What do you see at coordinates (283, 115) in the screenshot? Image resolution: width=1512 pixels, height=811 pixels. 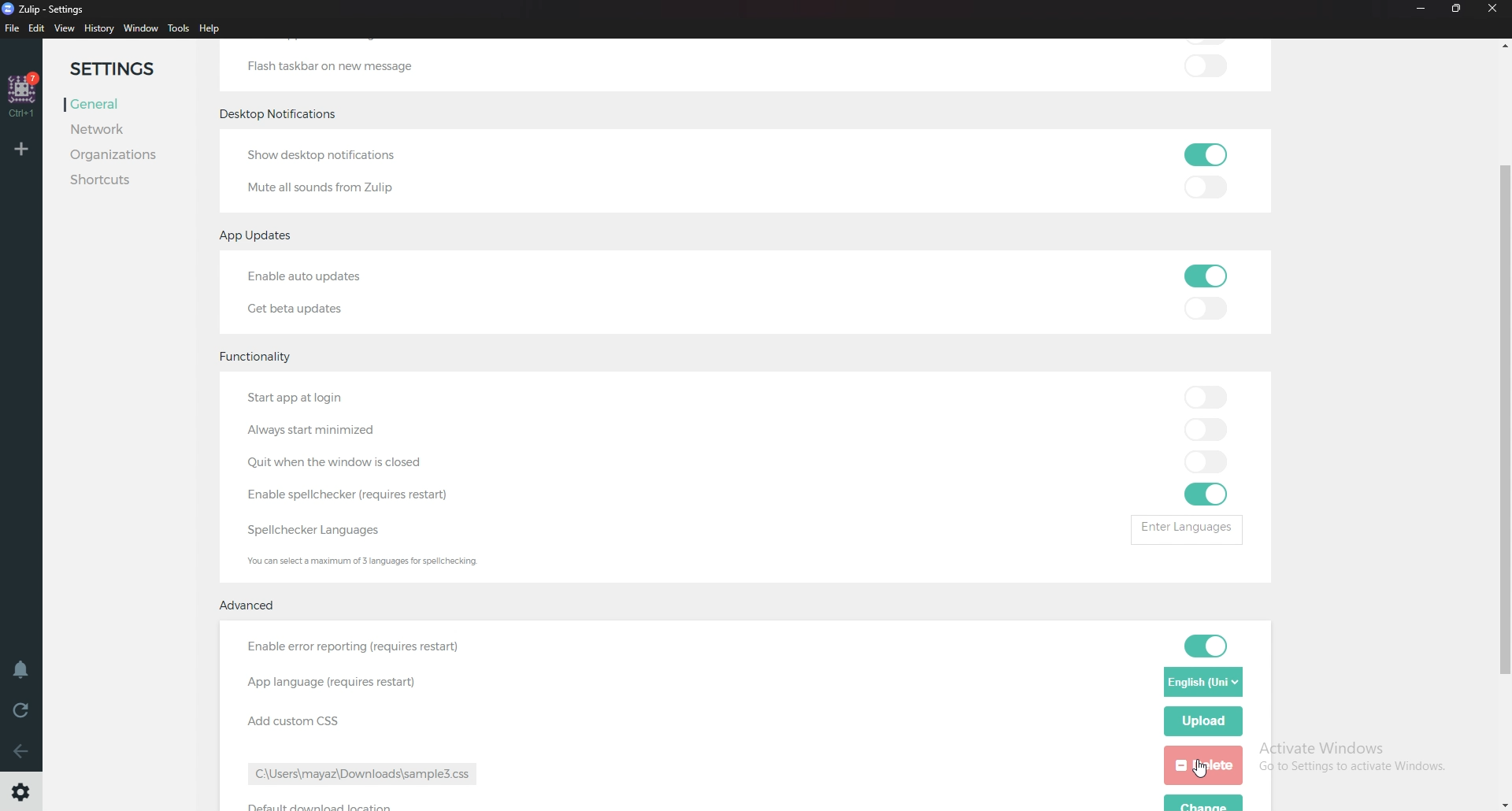 I see `Desktop notifications` at bounding box center [283, 115].